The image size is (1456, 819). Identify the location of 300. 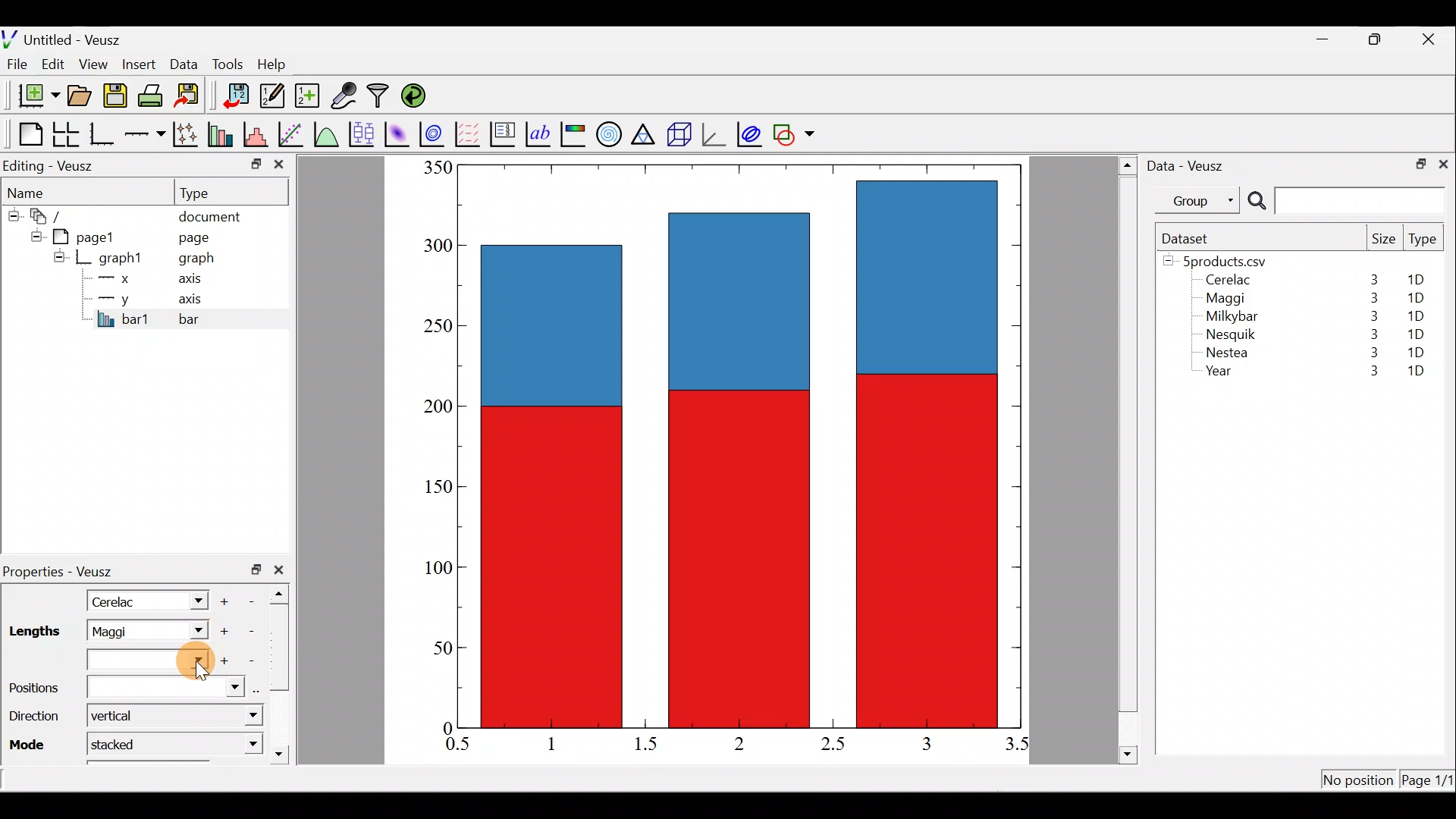
(436, 246).